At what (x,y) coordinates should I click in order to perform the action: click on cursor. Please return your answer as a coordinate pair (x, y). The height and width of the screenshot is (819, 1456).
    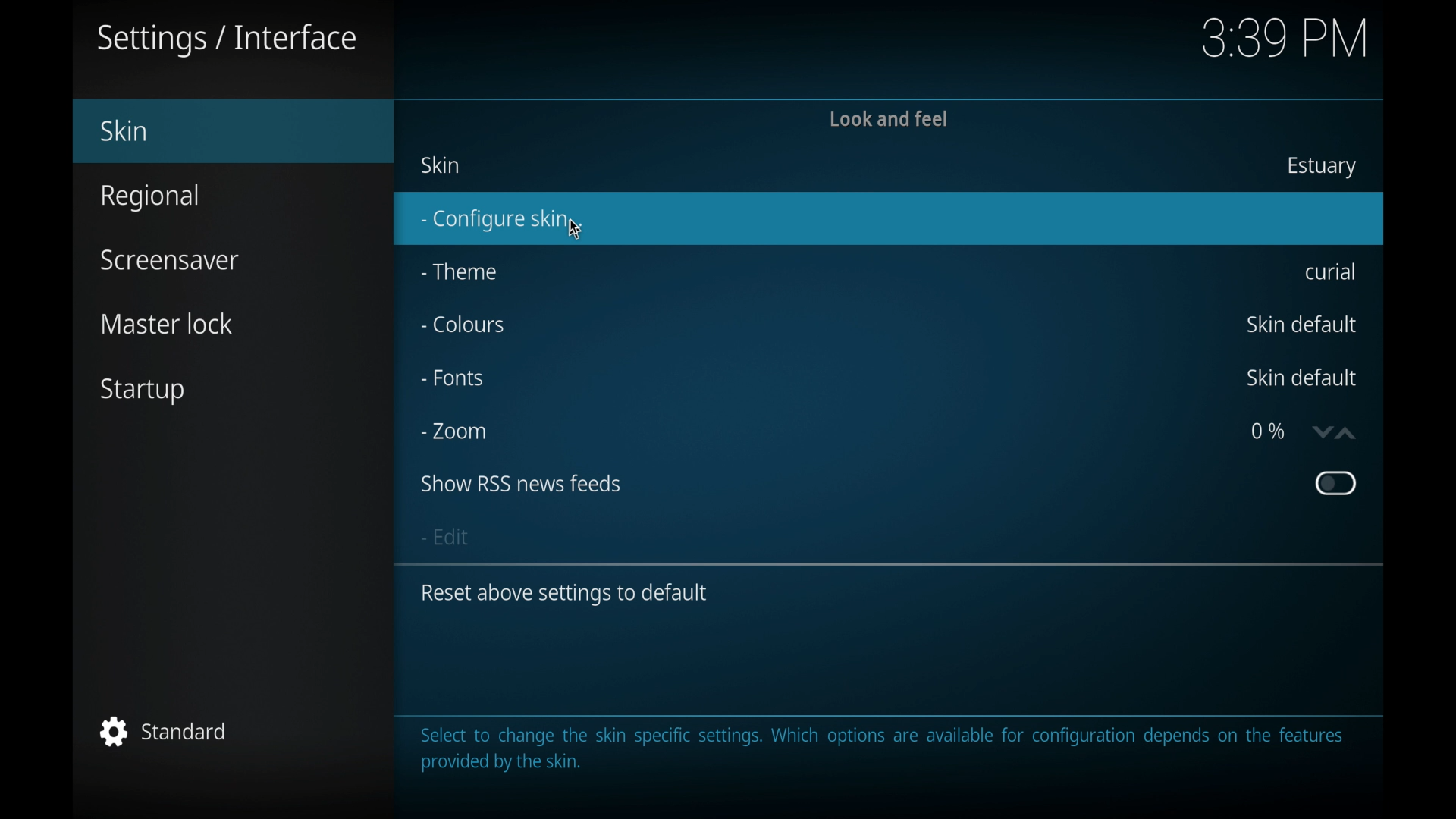
    Looking at the image, I should click on (575, 227).